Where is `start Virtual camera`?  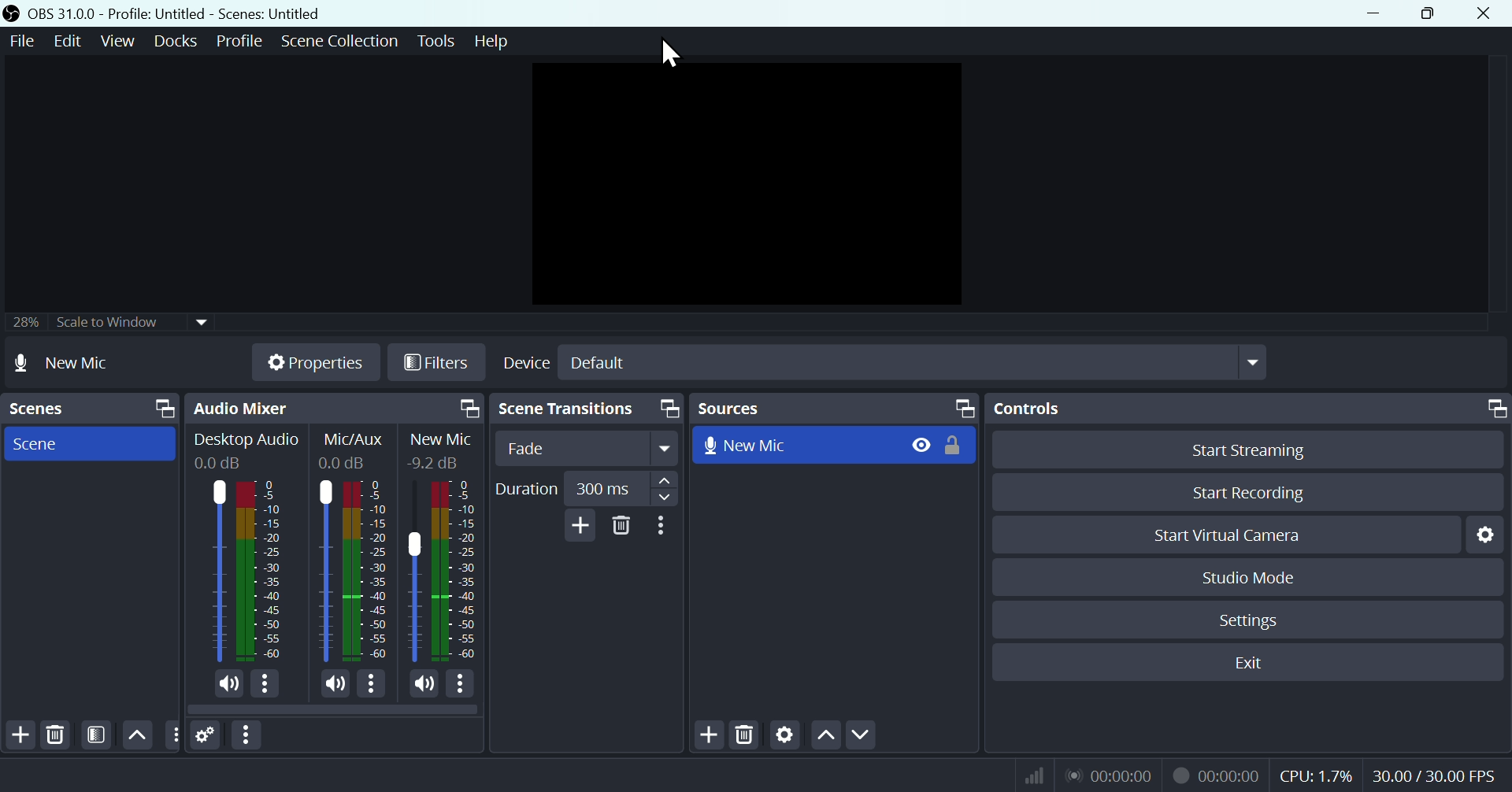 start Virtual camera is located at coordinates (1236, 535).